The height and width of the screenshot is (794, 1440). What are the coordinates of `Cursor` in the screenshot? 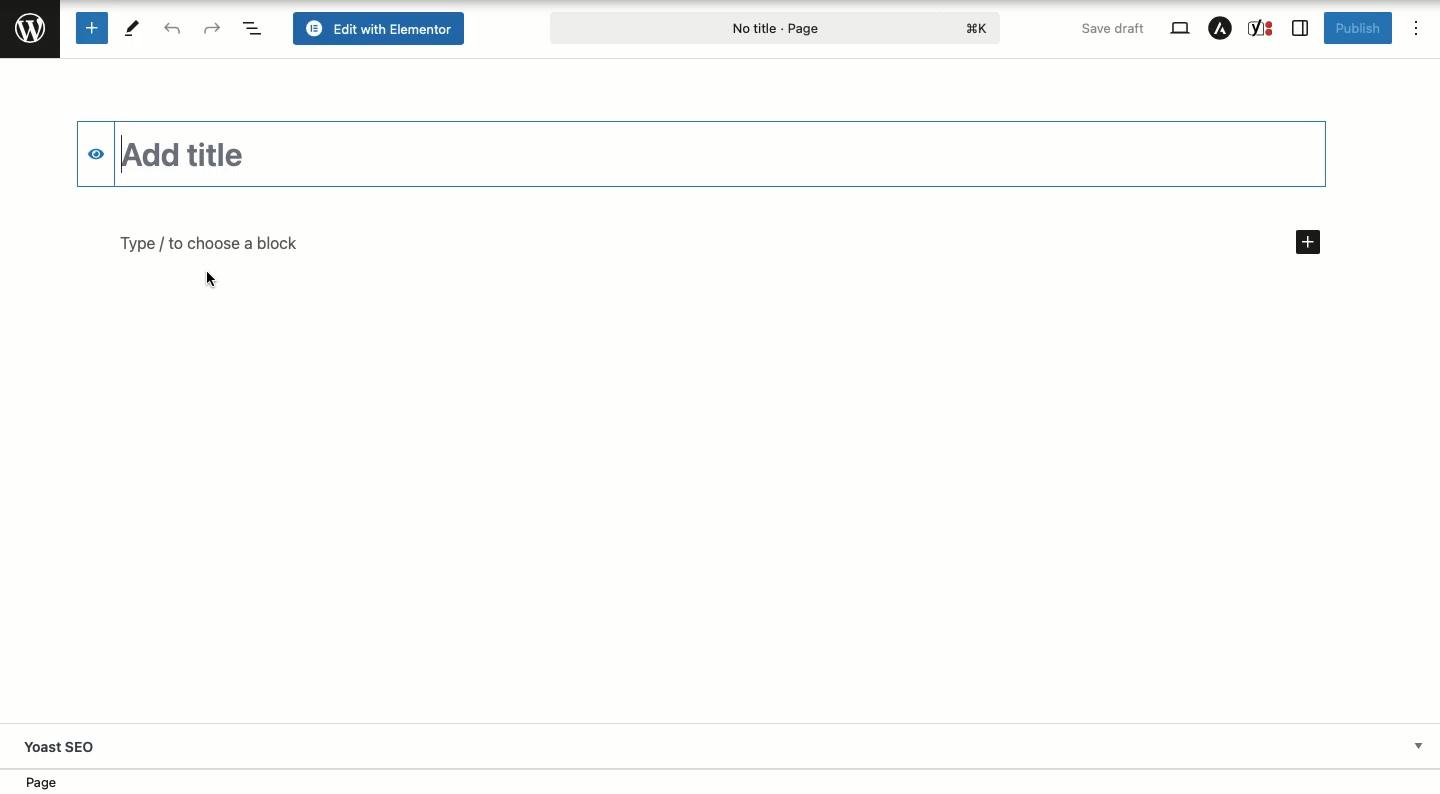 It's located at (211, 282).